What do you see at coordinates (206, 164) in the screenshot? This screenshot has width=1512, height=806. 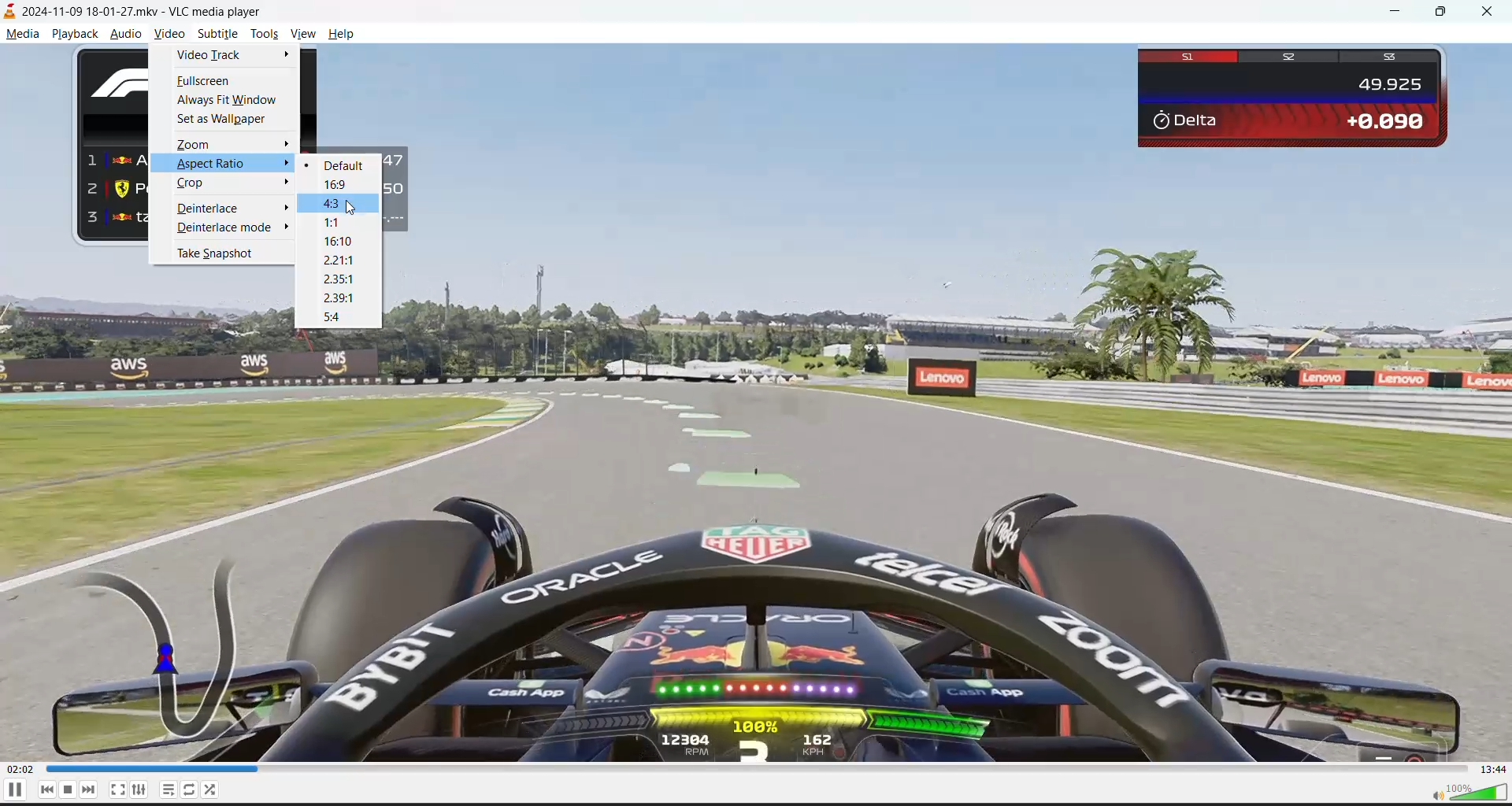 I see `aspect ratio` at bounding box center [206, 164].